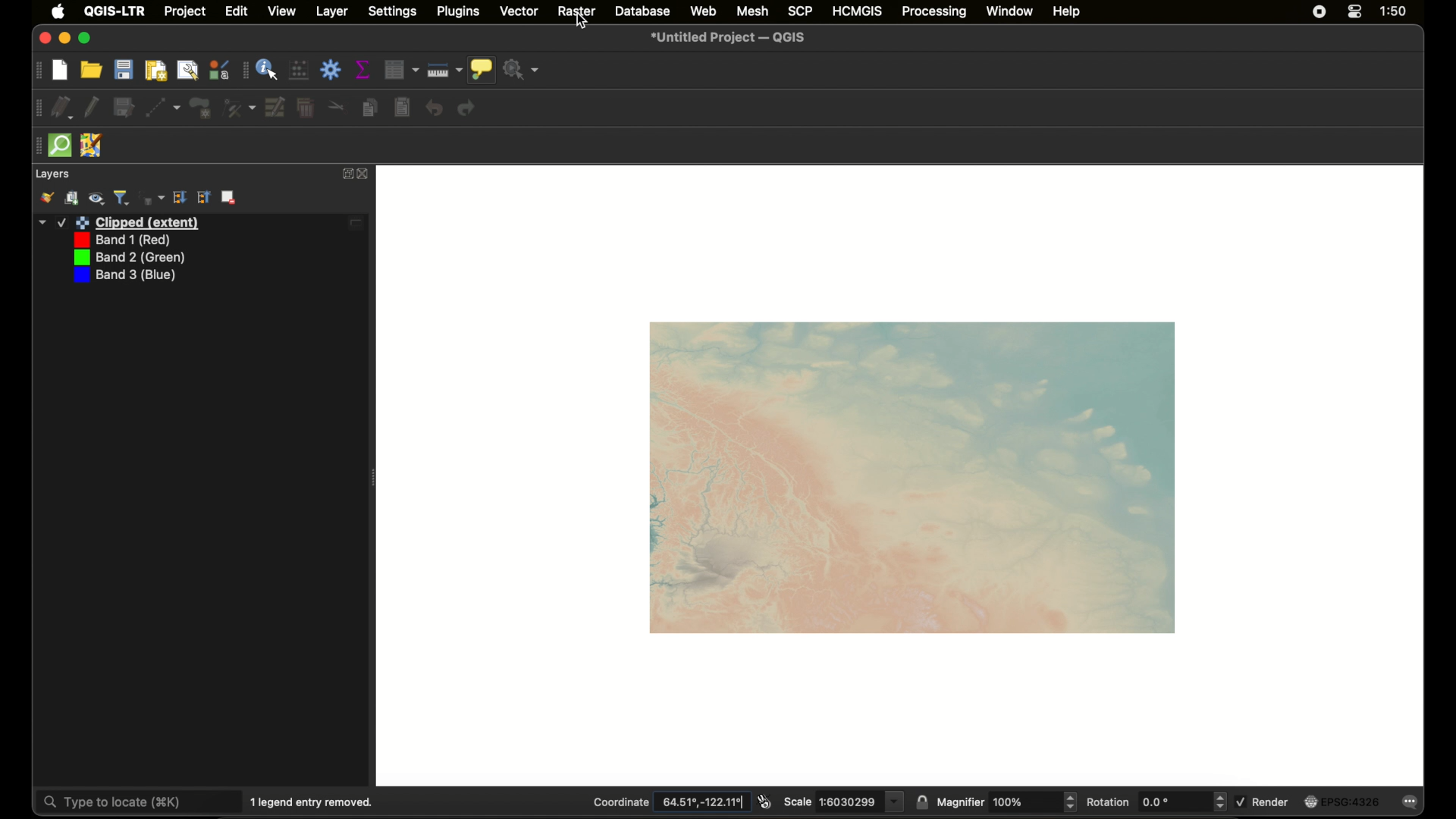 The width and height of the screenshot is (1456, 819). Describe the element at coordinates (127, 258) in the screenshot. I see `band 2` at that location.